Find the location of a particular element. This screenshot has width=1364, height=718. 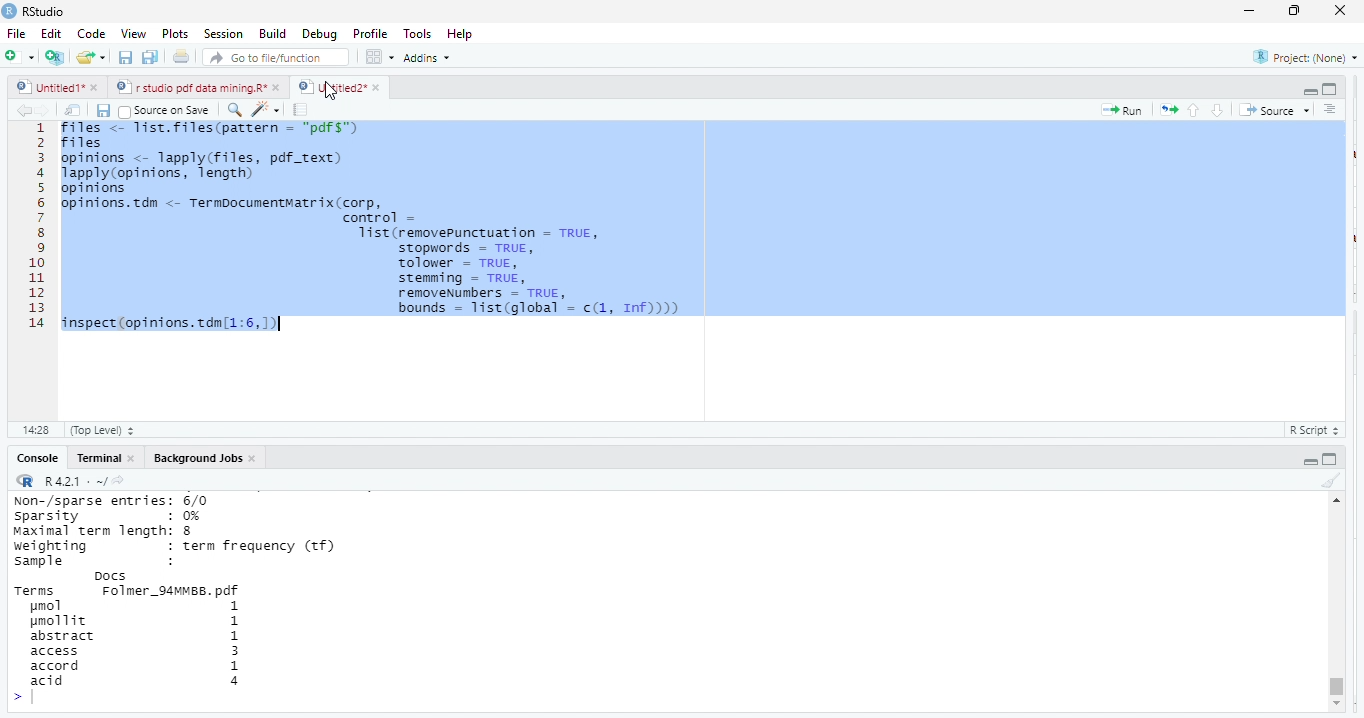

create a project is located at coordinates (53, 57).